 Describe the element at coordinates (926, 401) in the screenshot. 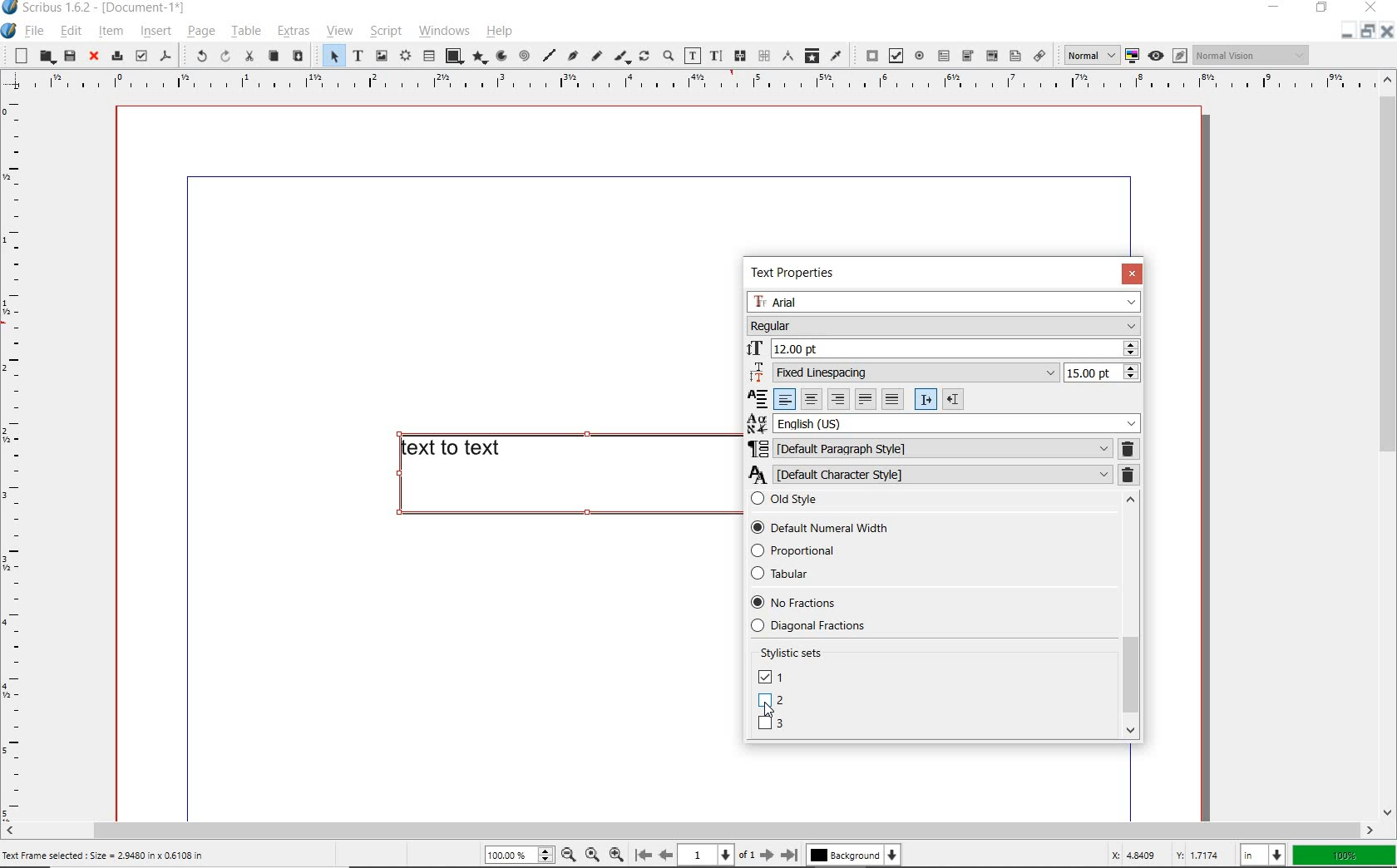

I see `Left to right paragraph` at that location.